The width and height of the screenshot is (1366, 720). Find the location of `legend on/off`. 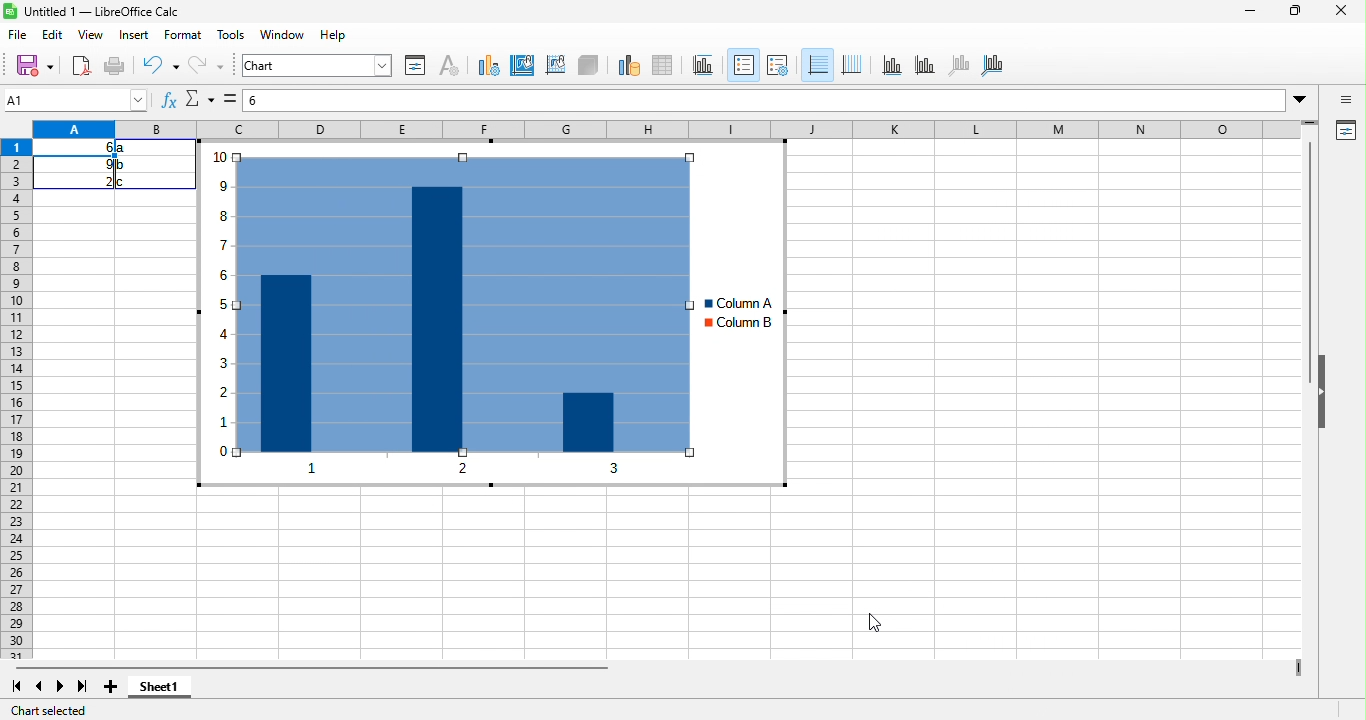

legend on/off is located at coordinates (778, 65).